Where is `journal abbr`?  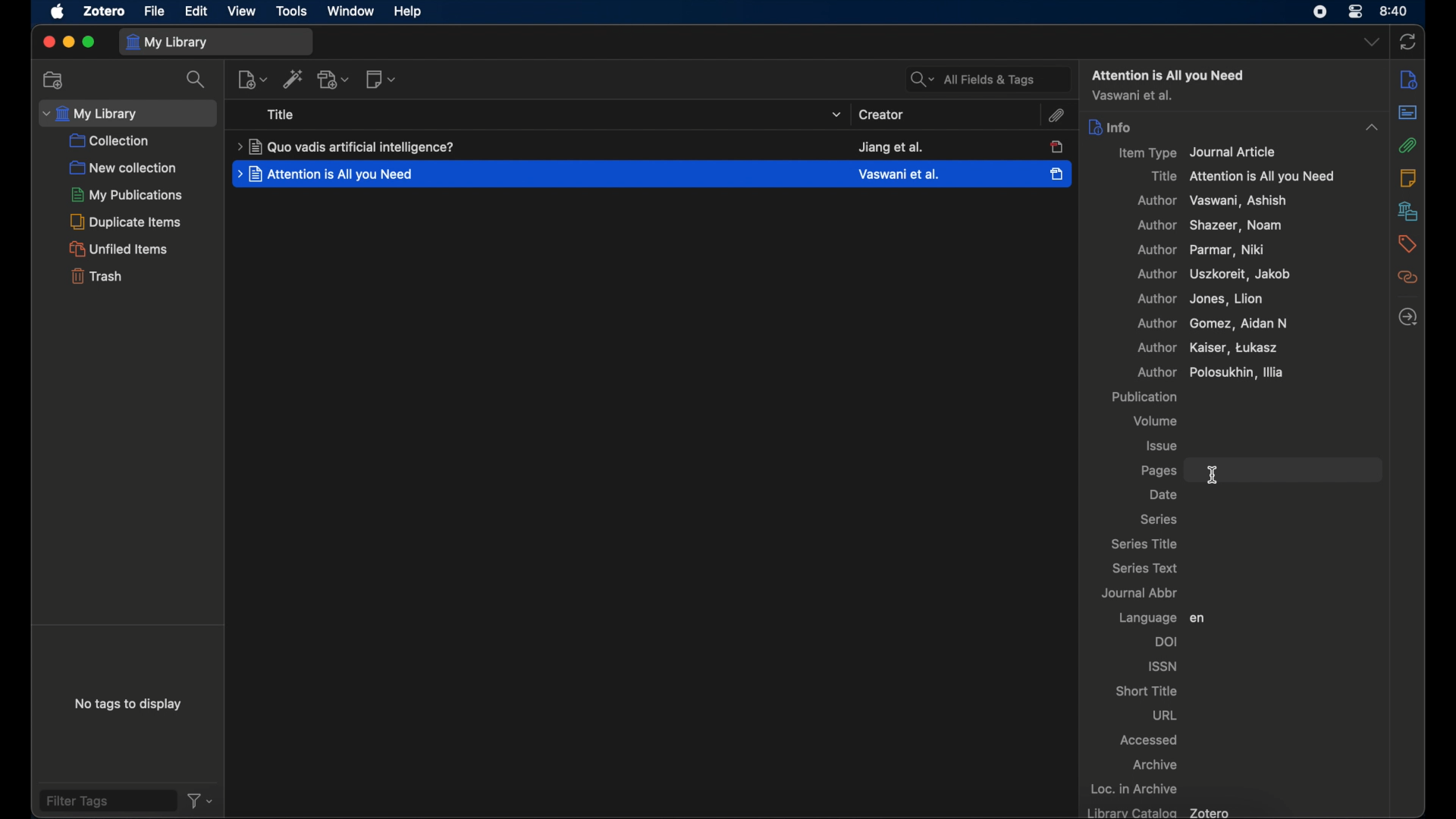 journal abbr is located at coordinates (1141, 591).